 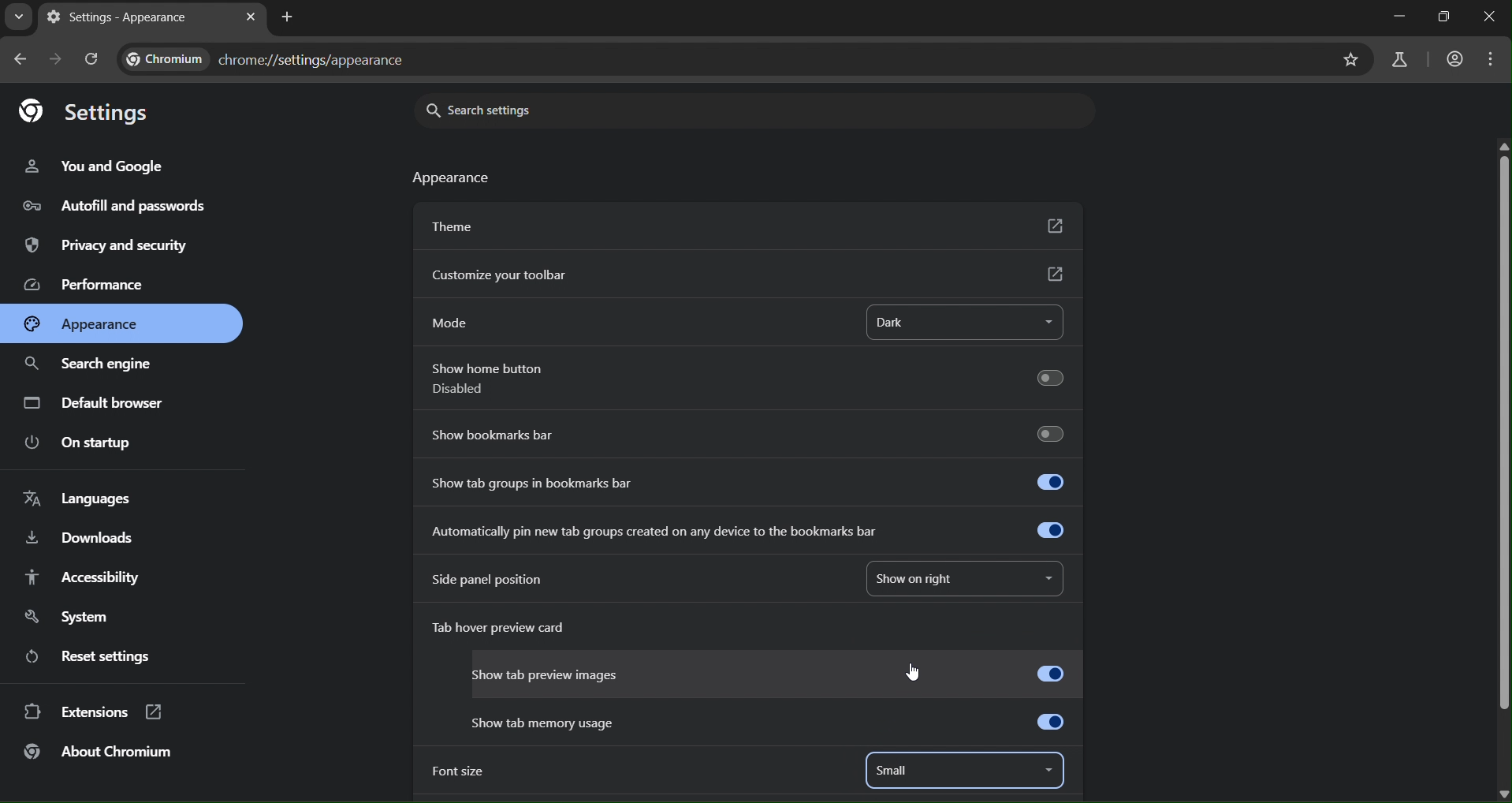 I want to click on search labs, so click(x=1395, y=60).